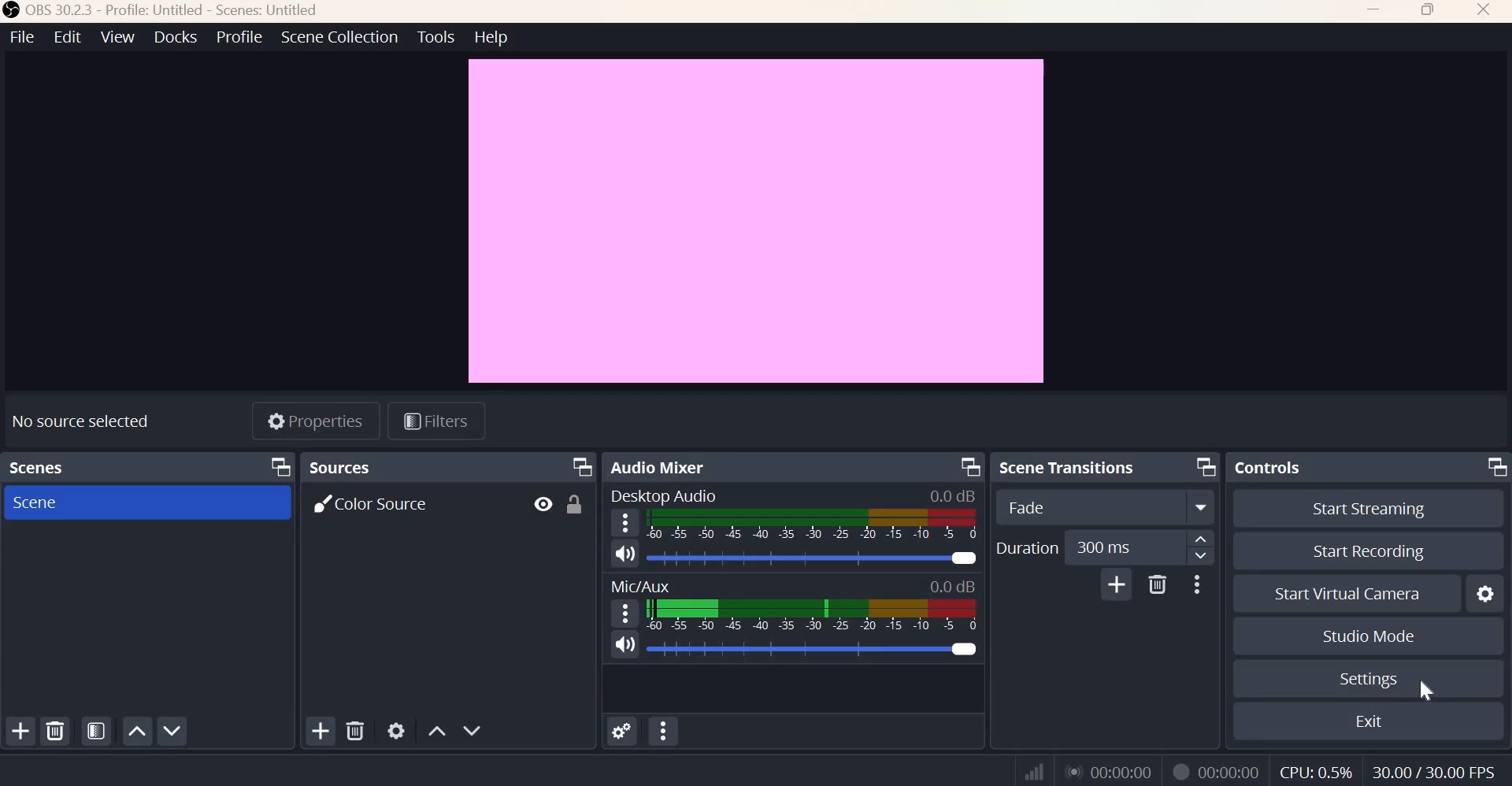  Describe the element at coordinates (963, 558) in the screenshot. I see `Audio Slider` at that location.